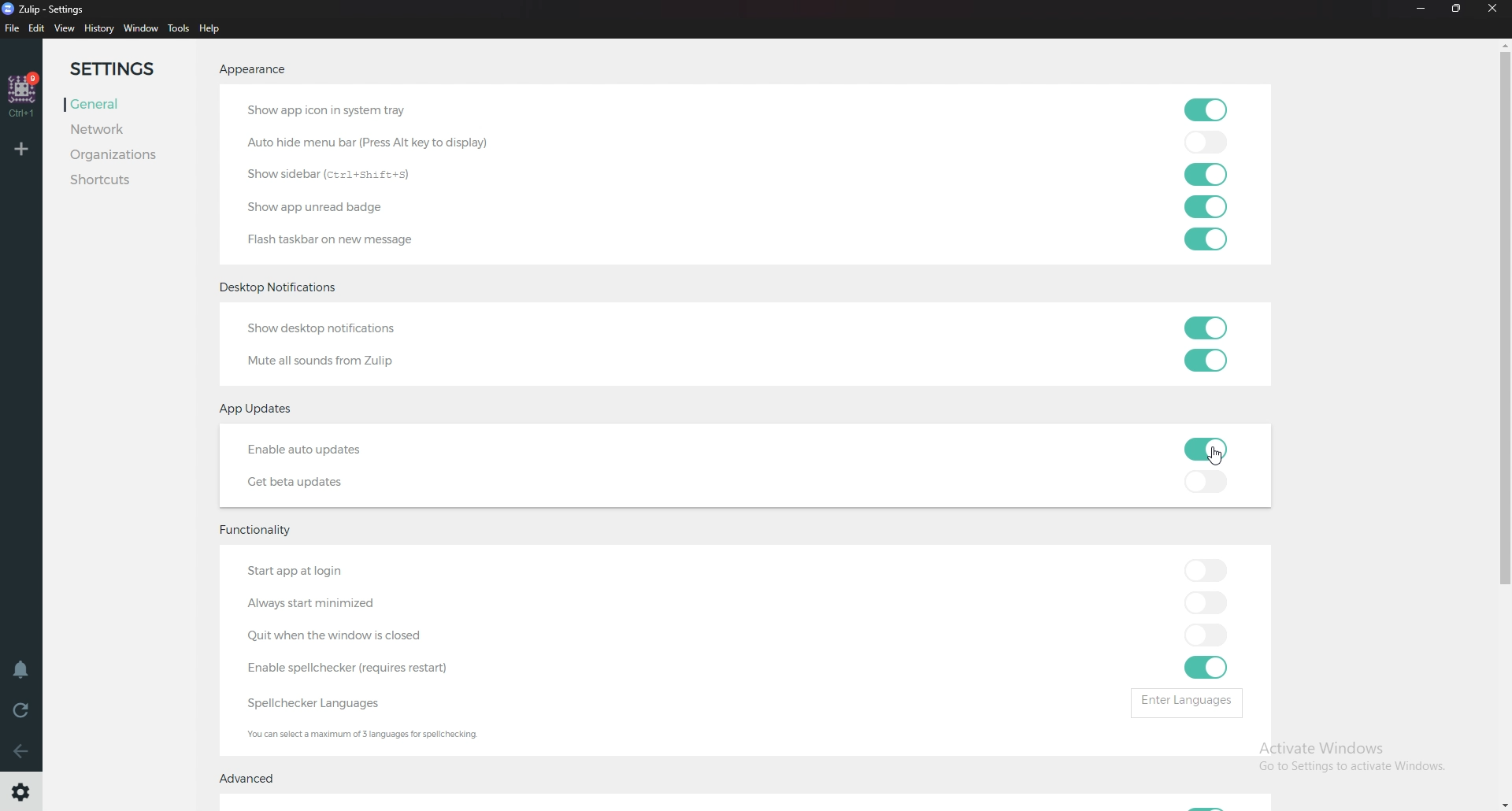 The width and height of the screenshot is (1512, 811). What do you see at coordinates (20, 794) in the screenshot?
I see `Settings` at bounding box center [20, 794].